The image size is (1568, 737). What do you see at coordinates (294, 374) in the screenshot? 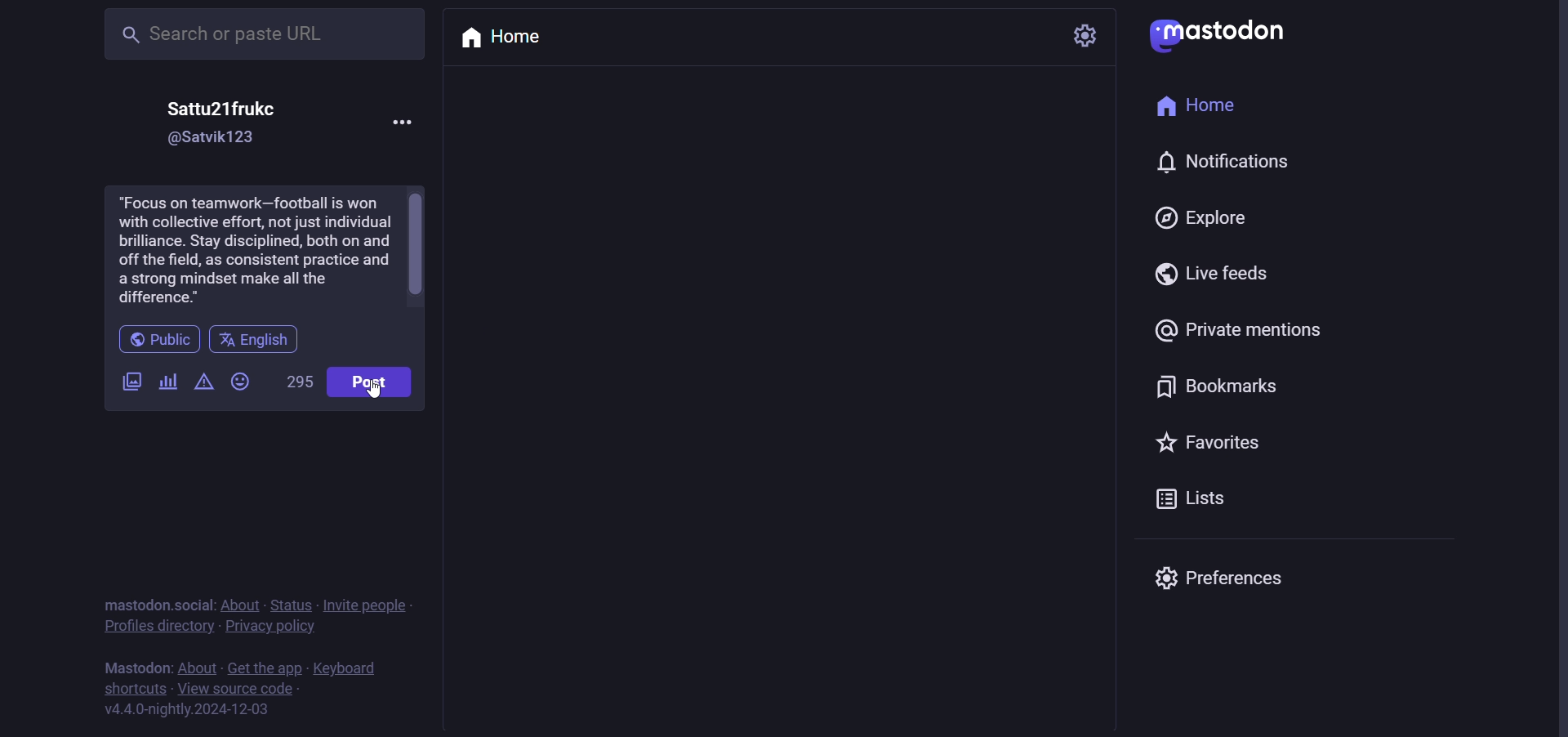
I see `word limit` at bounding box center [294, 374].